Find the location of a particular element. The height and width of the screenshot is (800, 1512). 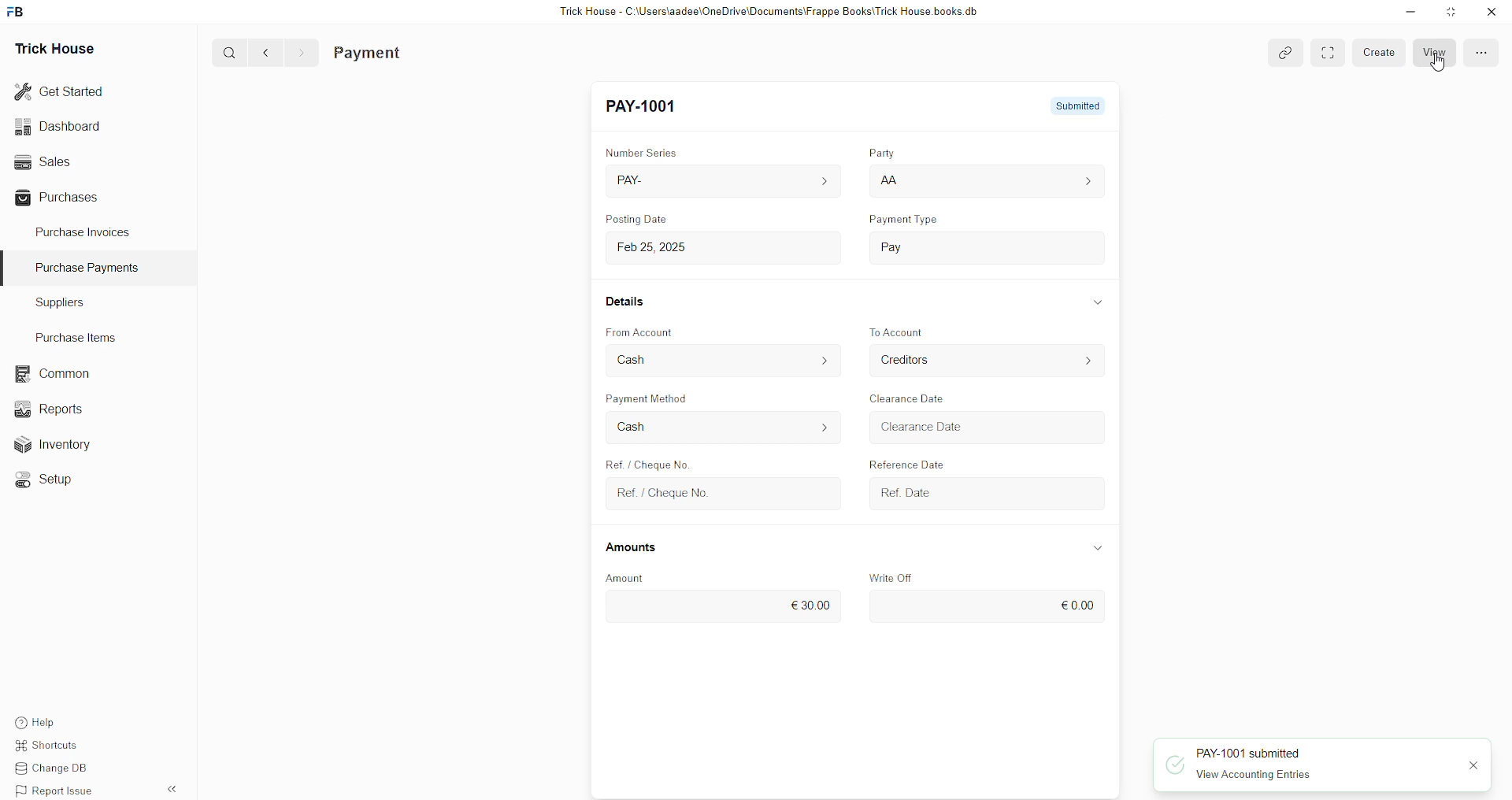

minimise down is located at coordinates (1408, 12).